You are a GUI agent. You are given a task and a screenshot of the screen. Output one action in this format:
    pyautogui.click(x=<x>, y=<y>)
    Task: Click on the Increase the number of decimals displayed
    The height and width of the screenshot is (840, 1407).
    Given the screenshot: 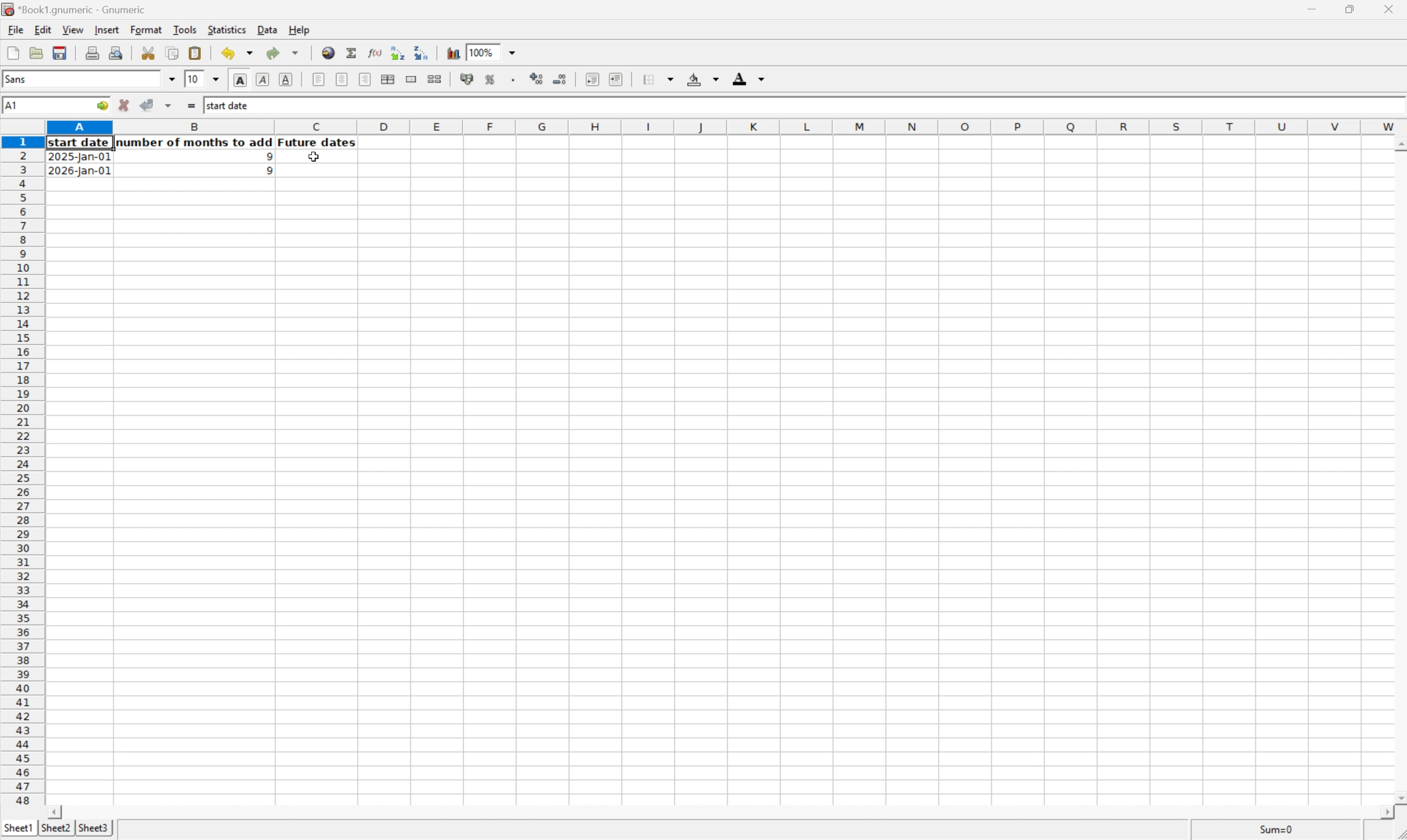 What is the action you would take?
    pyautogui.click(x=537, y=80)
    